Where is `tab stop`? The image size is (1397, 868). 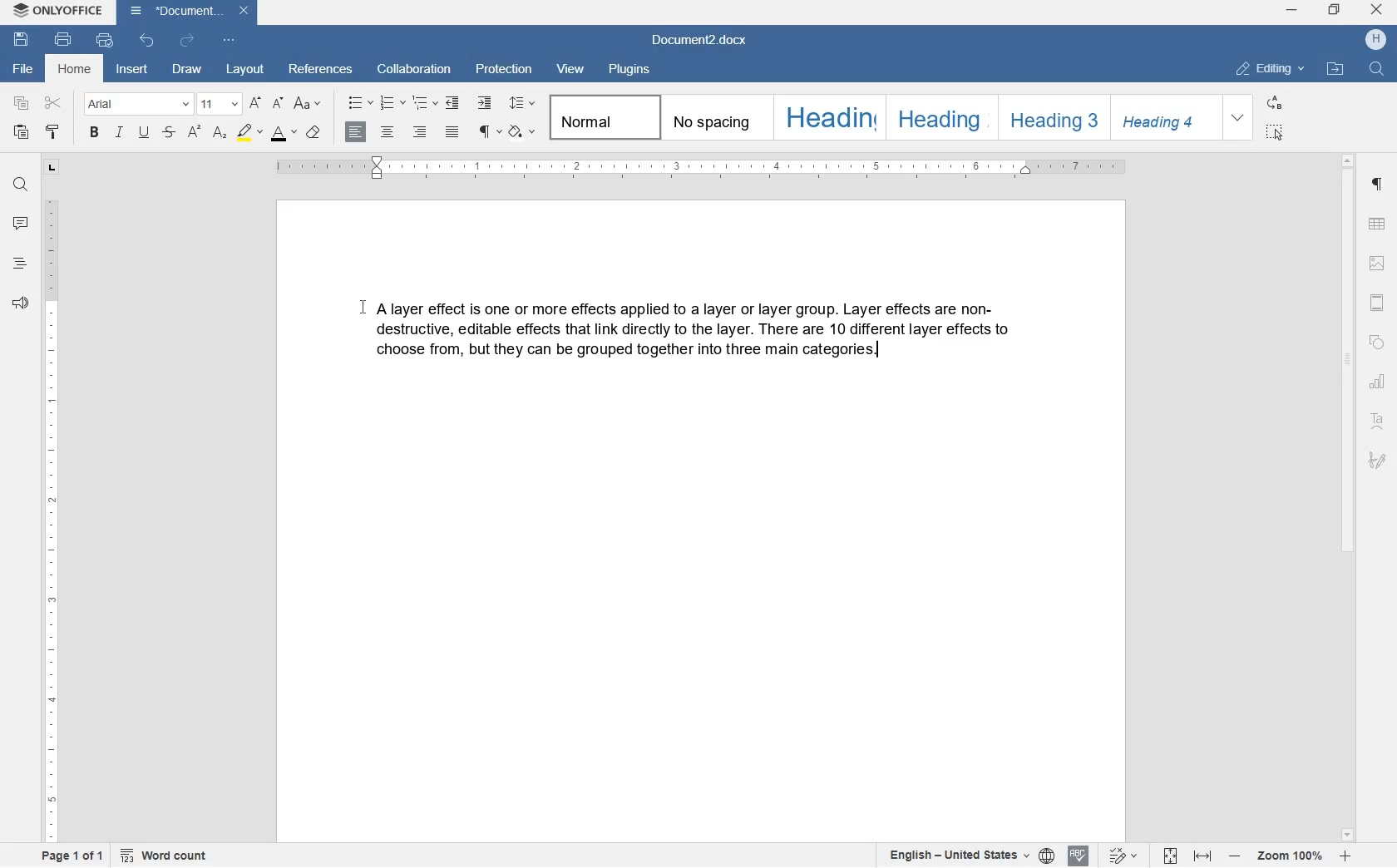 tab stop is located at coordinates (51, 170).